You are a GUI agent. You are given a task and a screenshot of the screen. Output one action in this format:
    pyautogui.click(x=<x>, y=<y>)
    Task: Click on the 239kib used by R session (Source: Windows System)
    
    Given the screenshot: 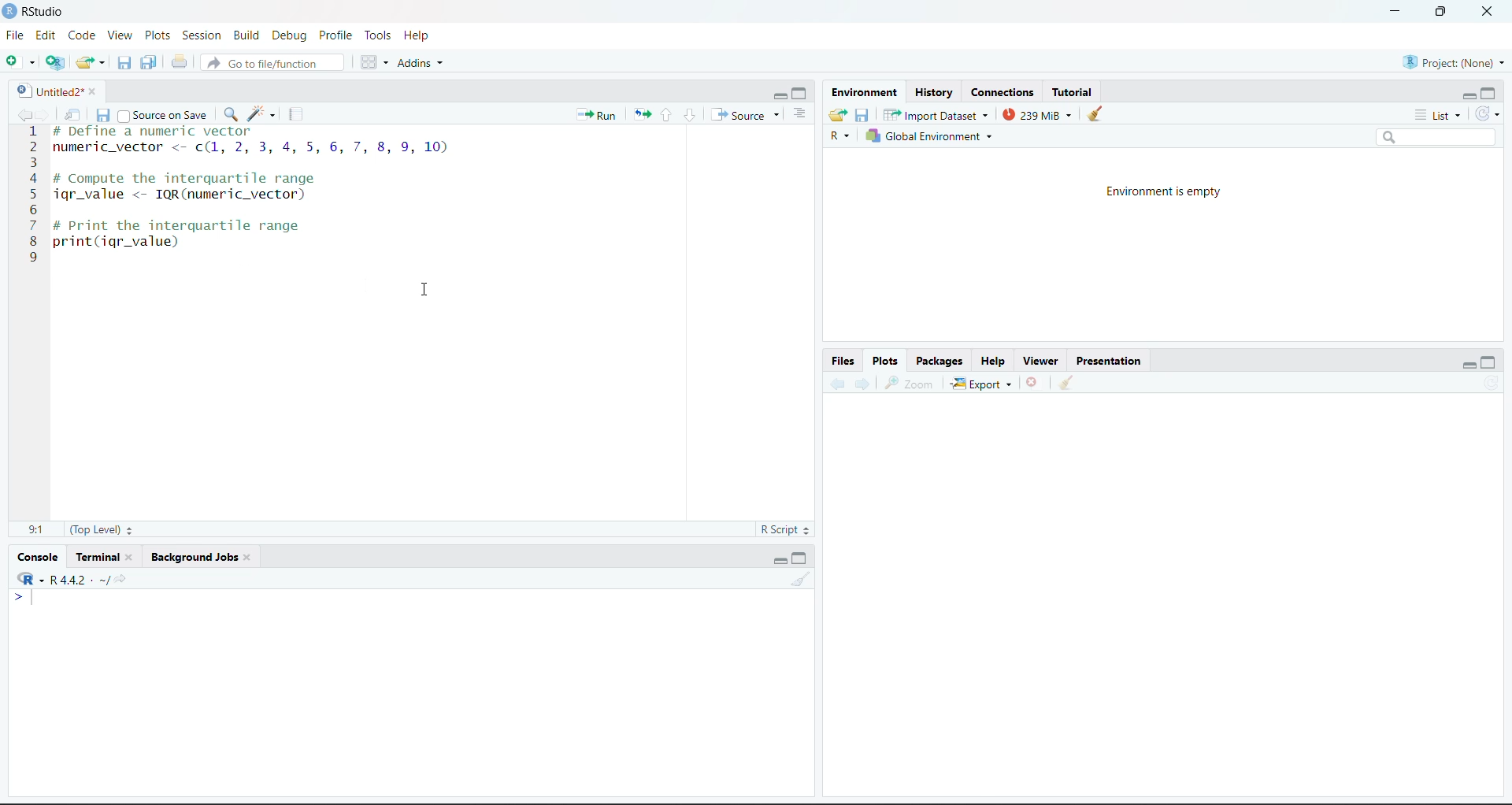 What is the action you would take?
    pyautogui.click(x=1039, y=114)
    